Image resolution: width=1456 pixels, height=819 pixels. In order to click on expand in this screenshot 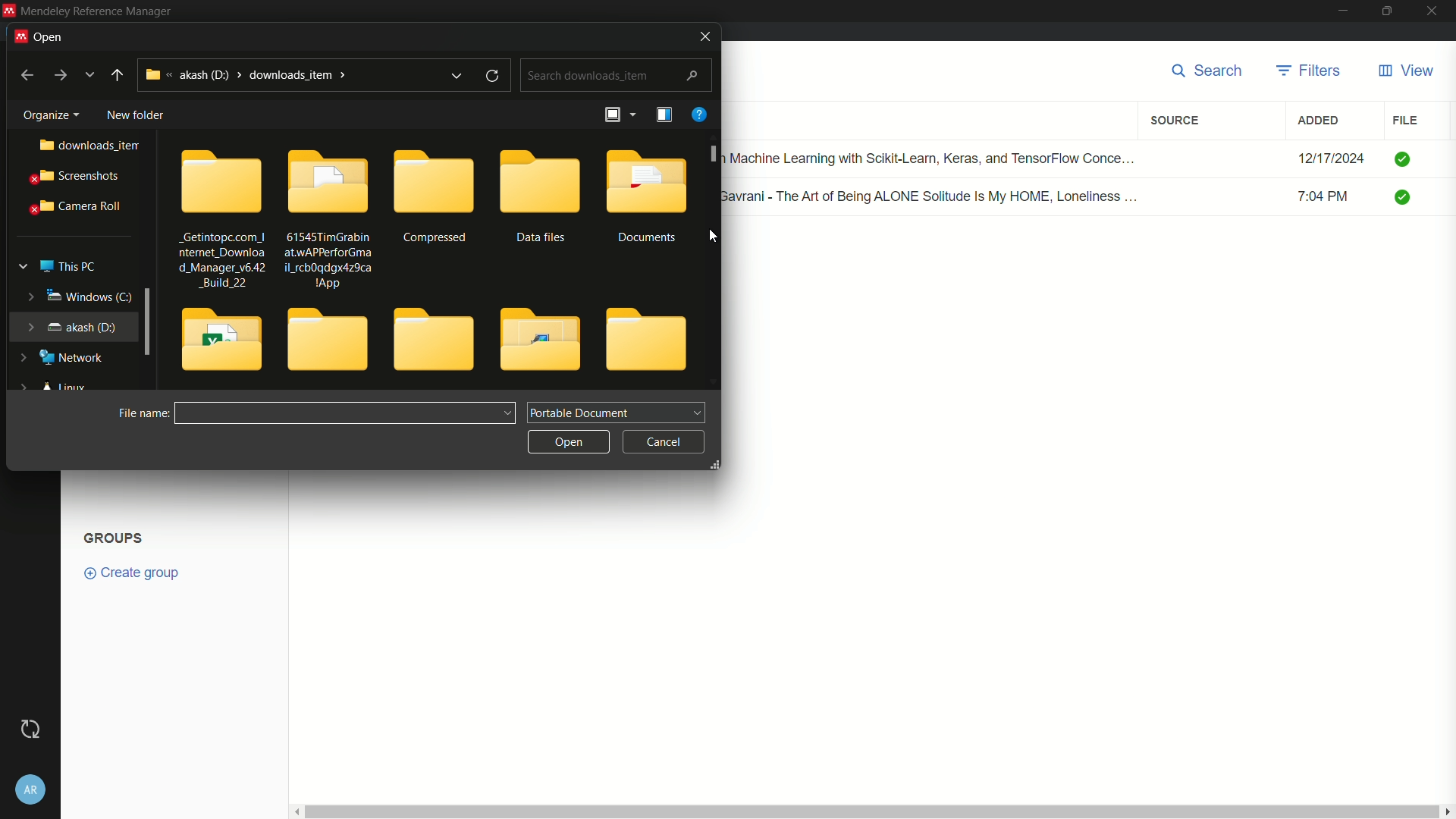, I will do `click(456, 75)`.